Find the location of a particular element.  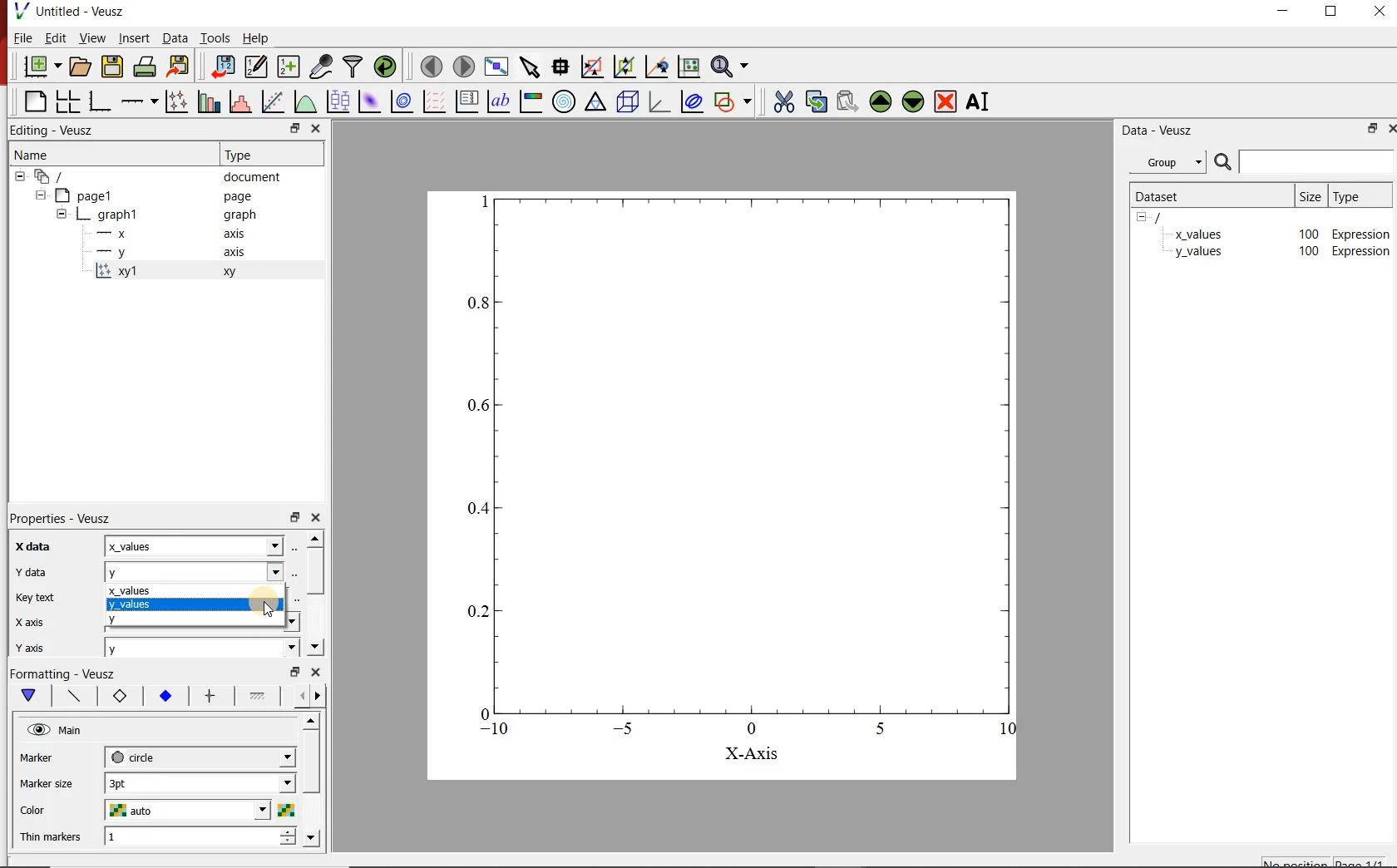

vertical scrollbar is located at coordinates (310, 762).